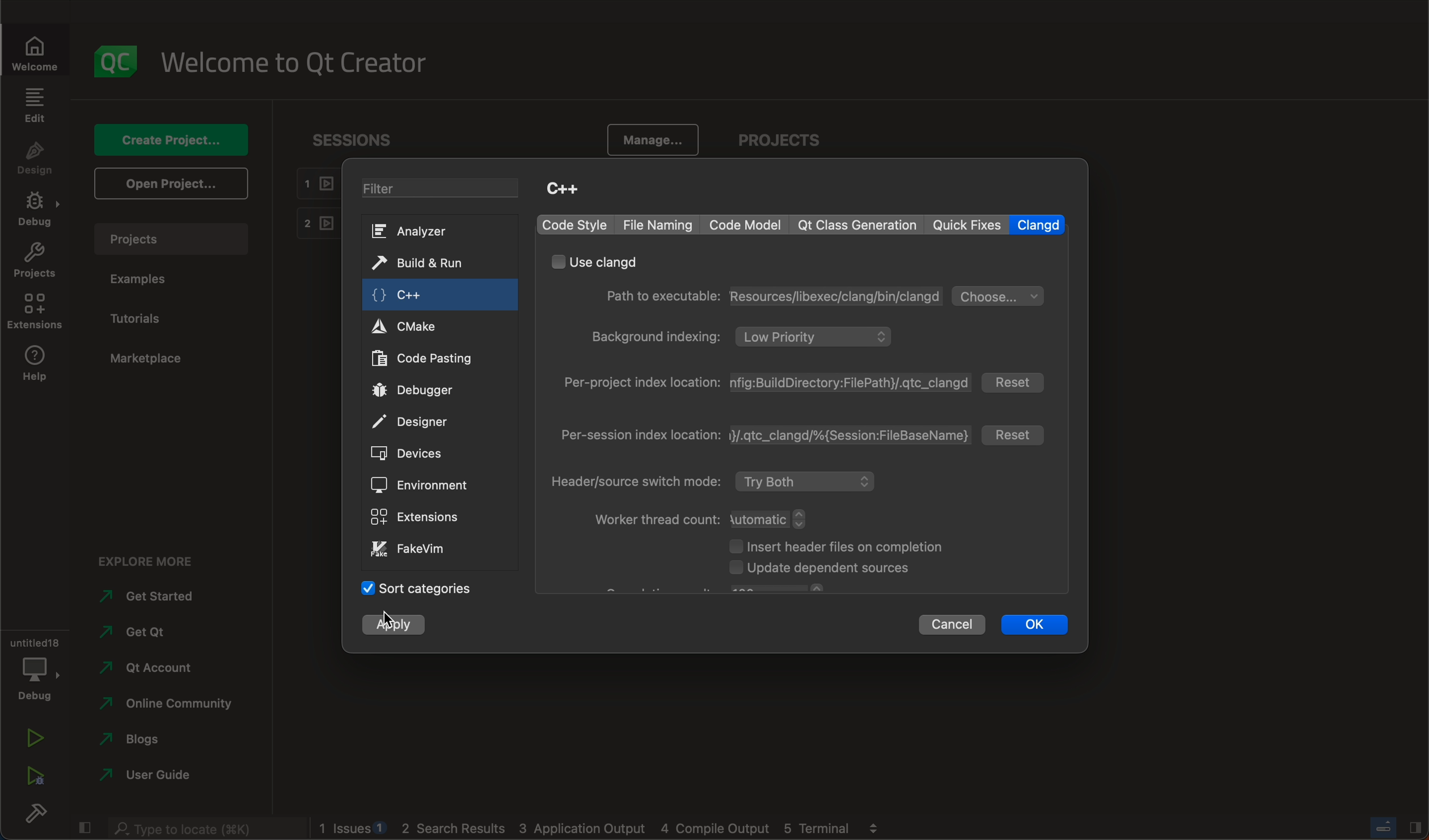 The image size is (1429, 840). Describe the element at coordinates (427, 327) in the screenshot. I see `editor` at that location.